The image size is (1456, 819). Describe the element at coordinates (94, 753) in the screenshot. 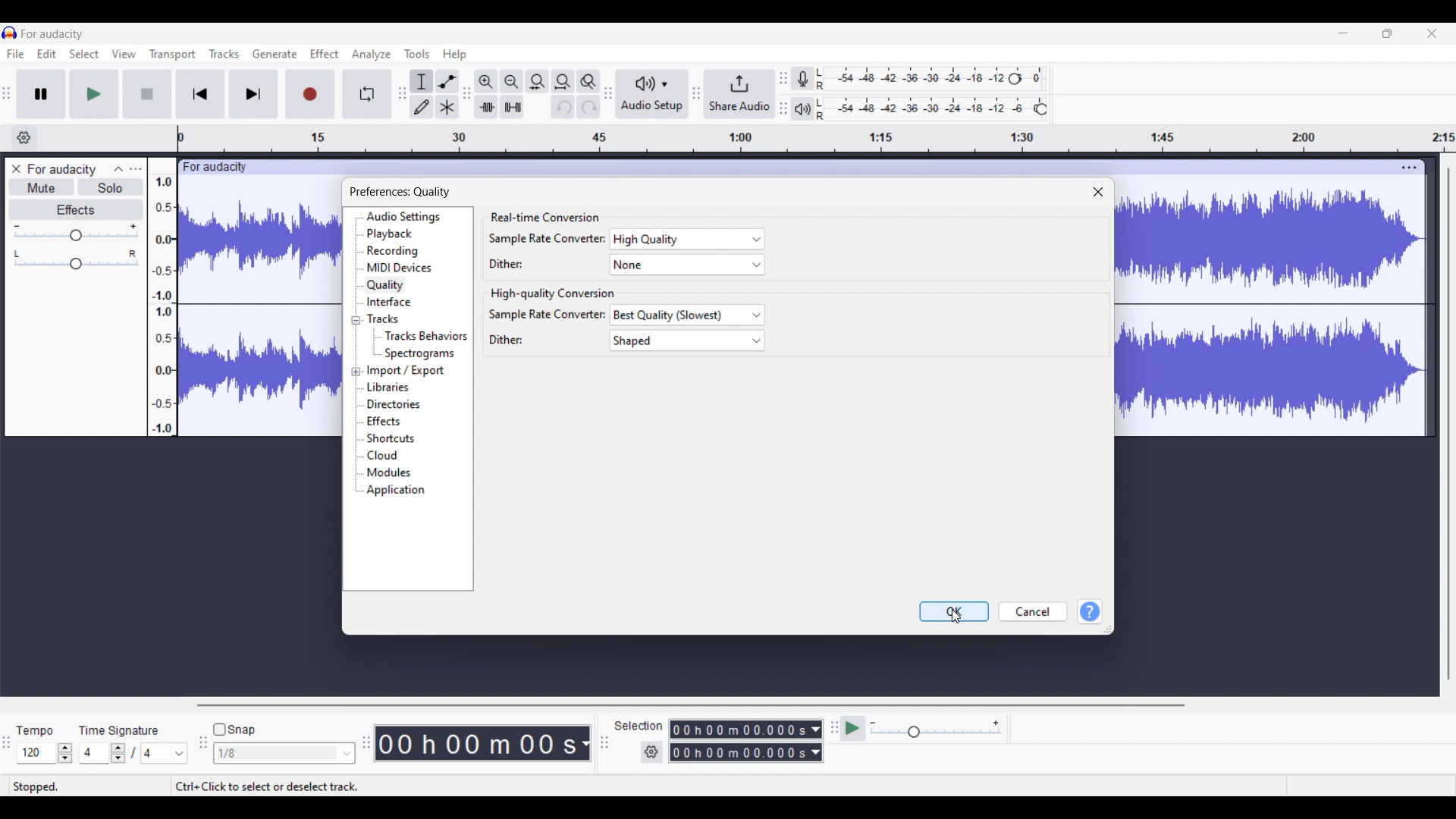

I see `Input time signature` at that location.